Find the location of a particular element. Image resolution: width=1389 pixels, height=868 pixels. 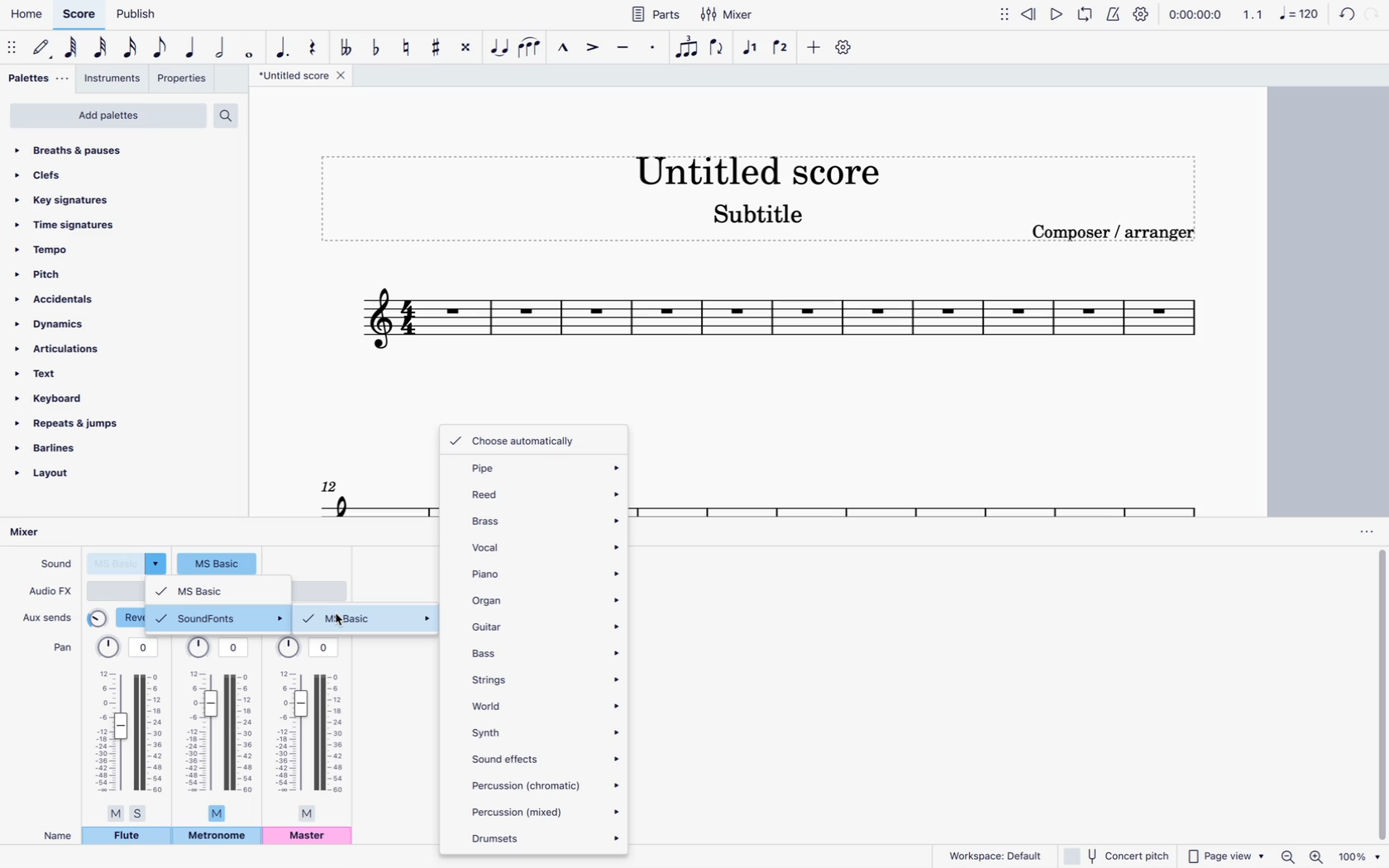

instruments is located at coordinates (113, 80).